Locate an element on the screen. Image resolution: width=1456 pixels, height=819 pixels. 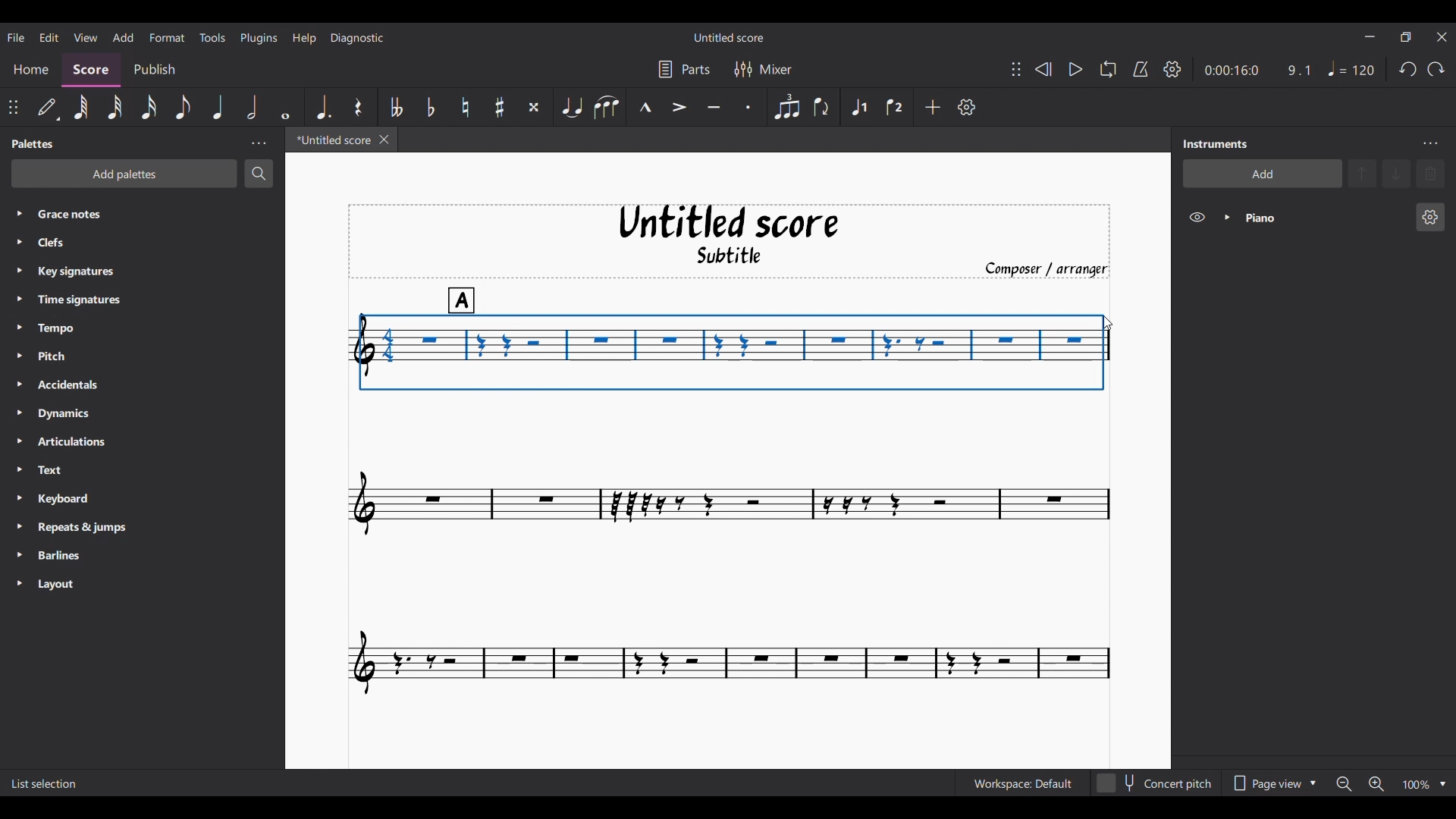
Publish section is located at coordinates (156, 67).